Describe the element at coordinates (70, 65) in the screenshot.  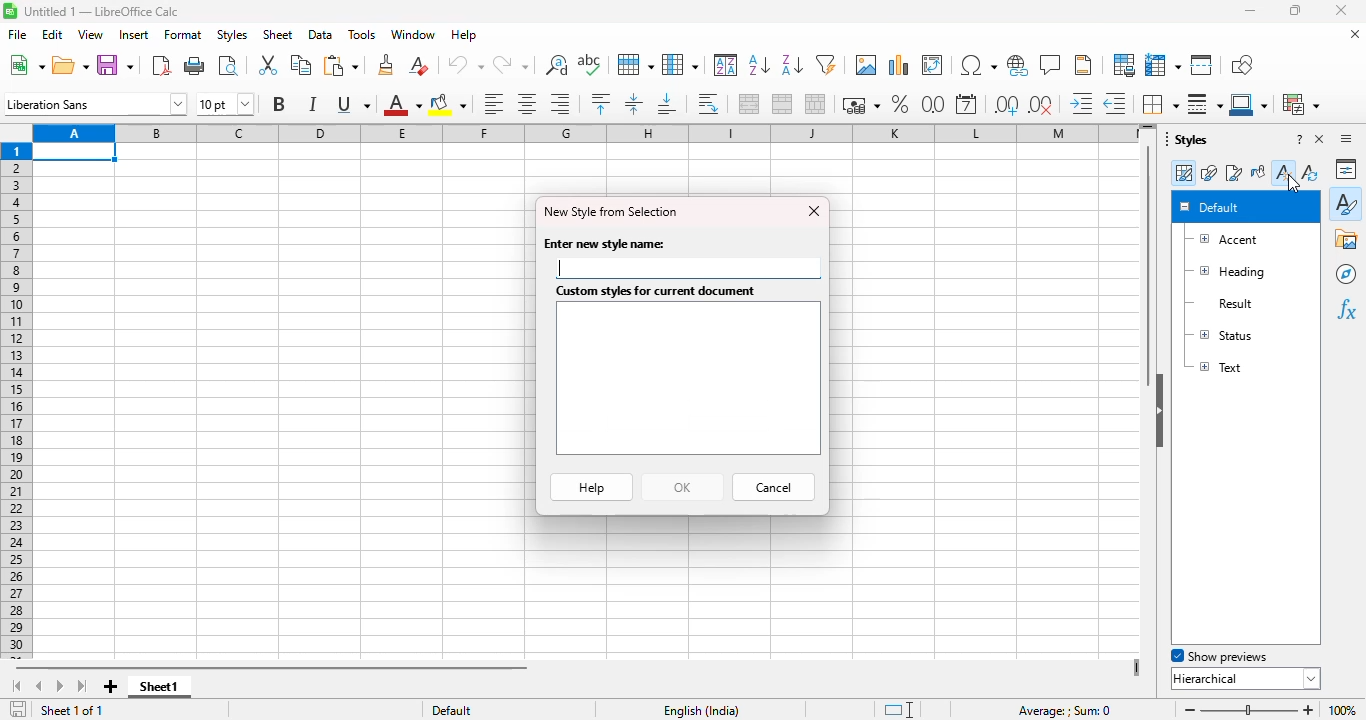
I see `open` at that location.